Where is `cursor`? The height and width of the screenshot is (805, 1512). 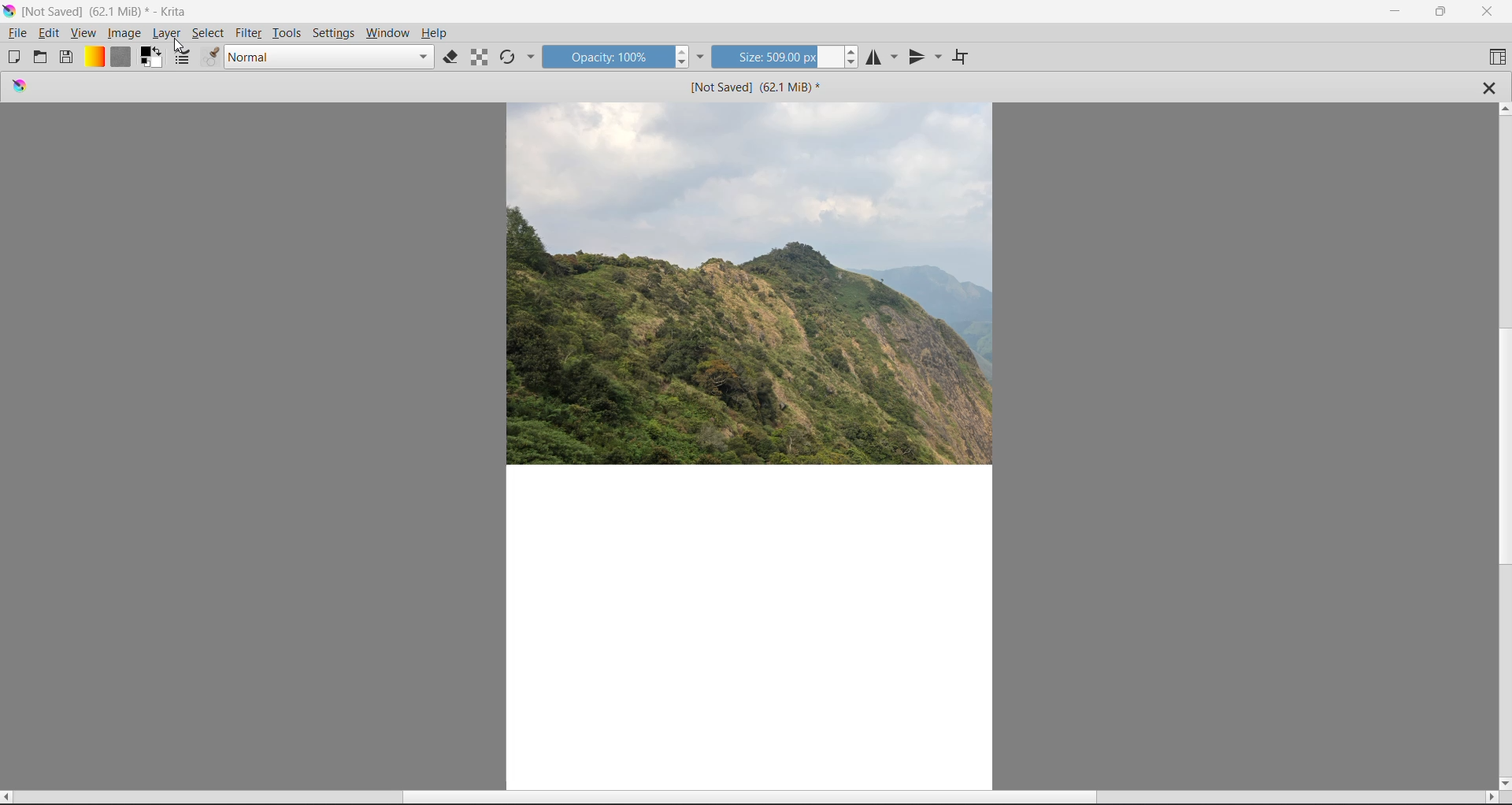 cursor is located at coordinates (181, 46).